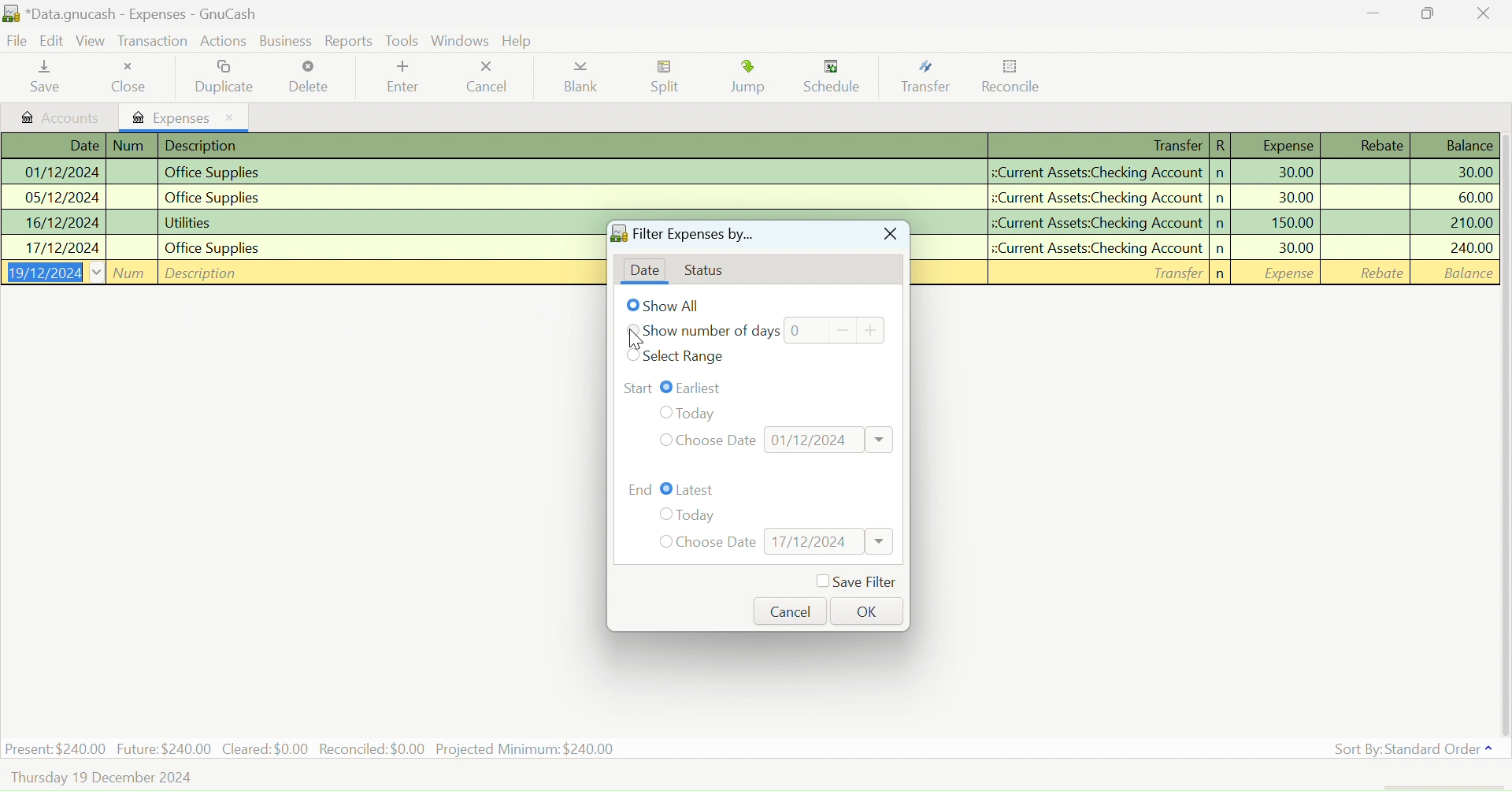  I want to click on File, so click(16, 43).